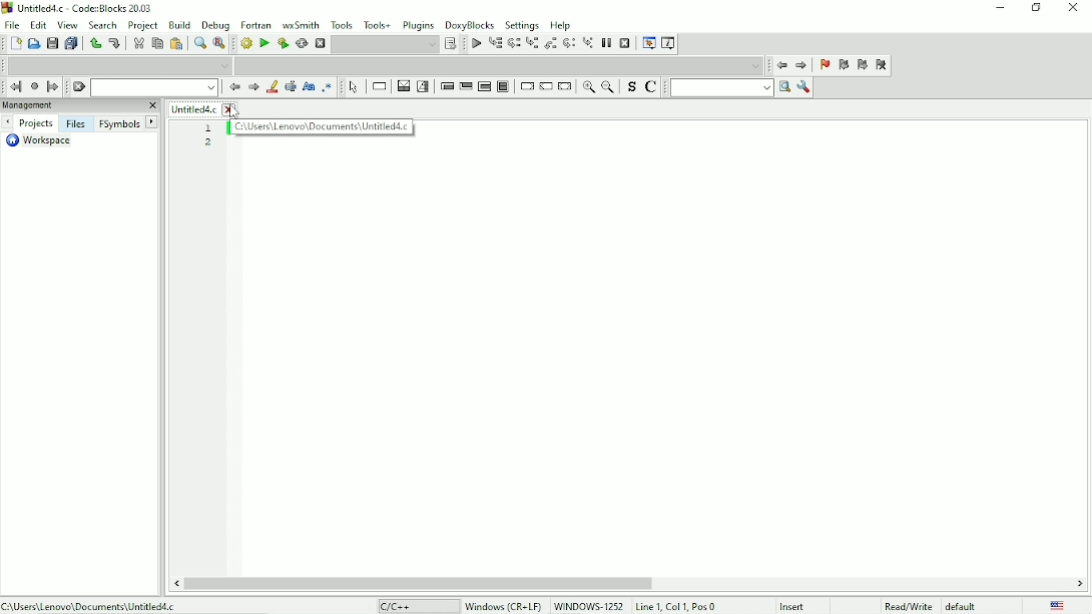 The height and width of the screenshot is (614, 1092). Describe the element at coordinates (256, 25) in the screenshot. I see `Fortran` at that location.